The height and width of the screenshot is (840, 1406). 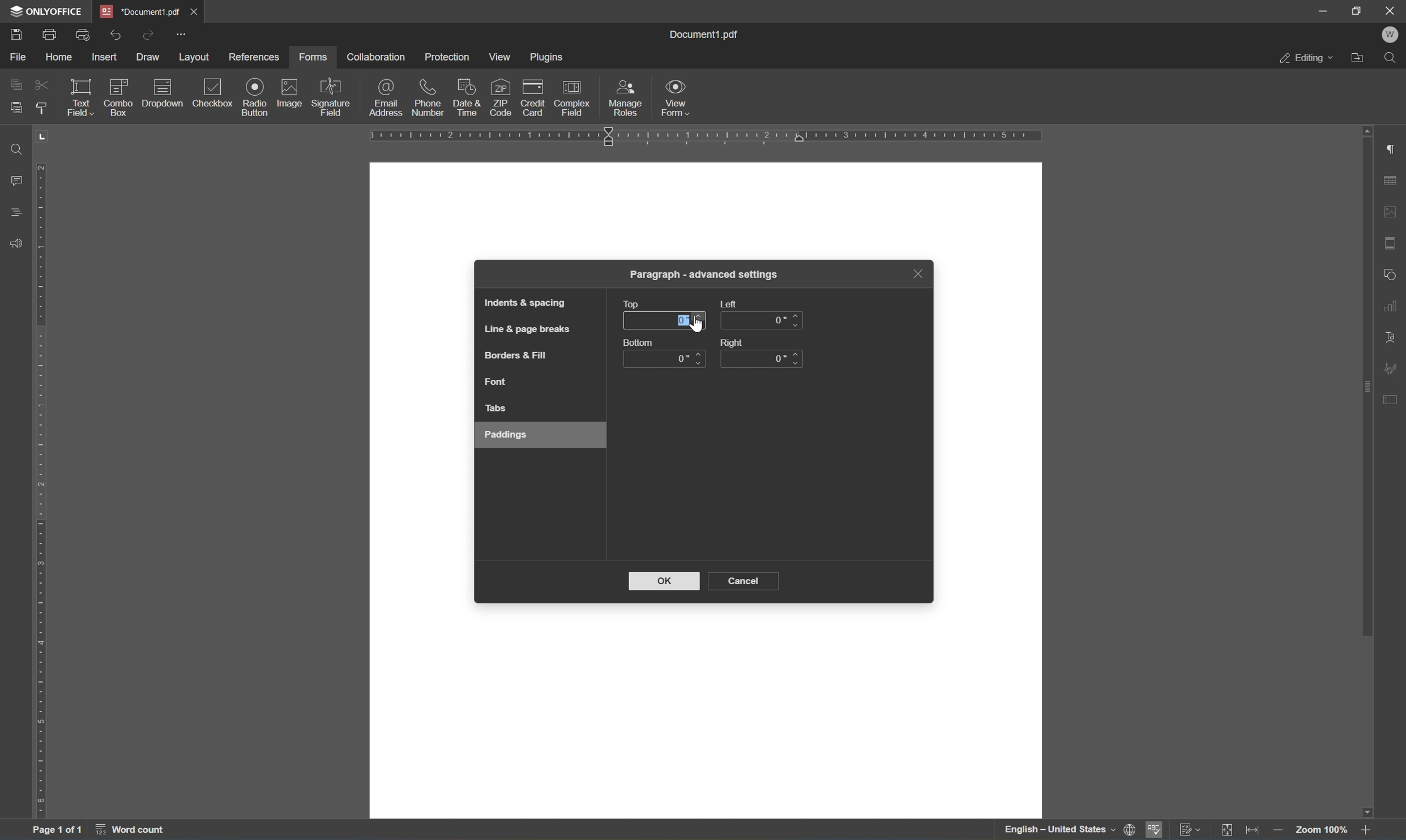 I want to click on tabs, so click(x=498, y=409).